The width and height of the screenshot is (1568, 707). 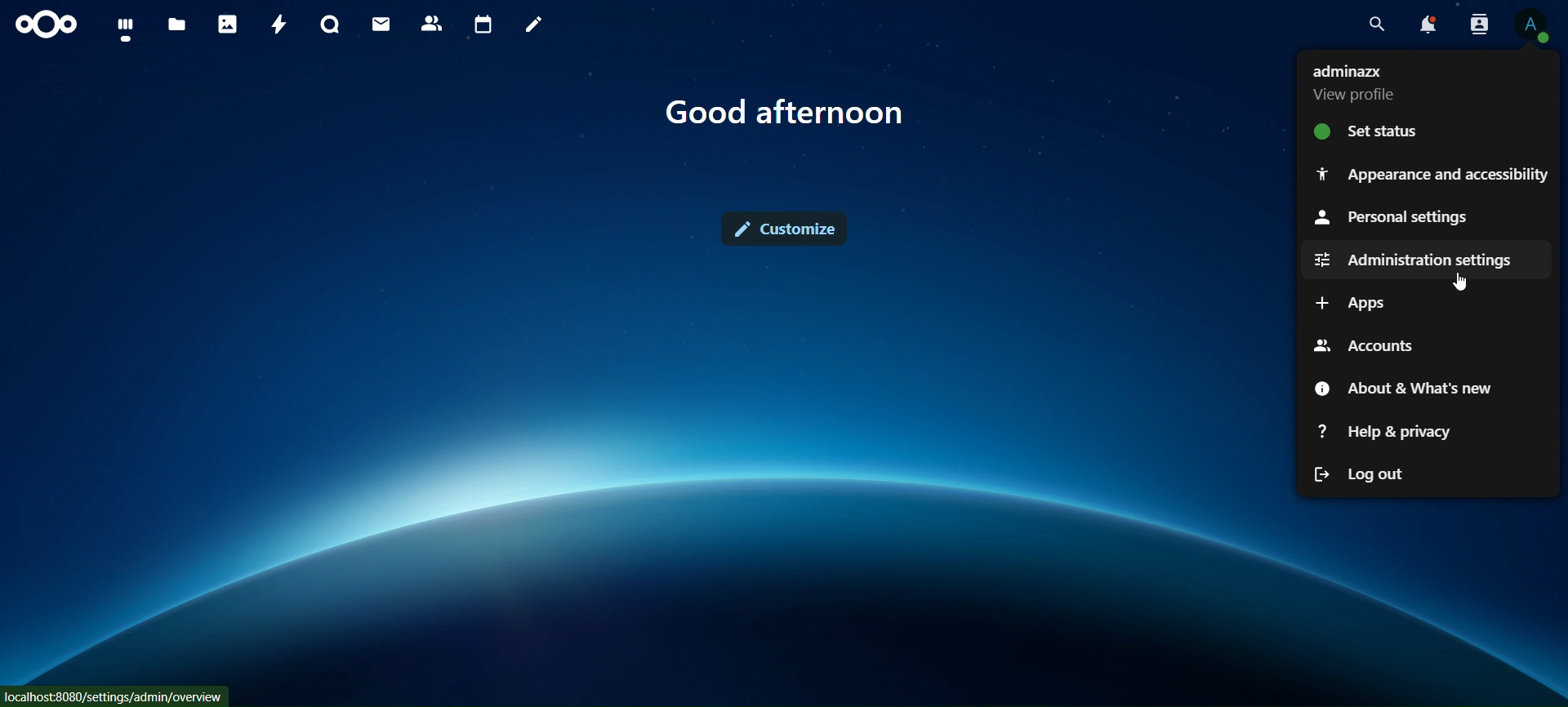 I want to click on log out, so click(x=1361, y=474).